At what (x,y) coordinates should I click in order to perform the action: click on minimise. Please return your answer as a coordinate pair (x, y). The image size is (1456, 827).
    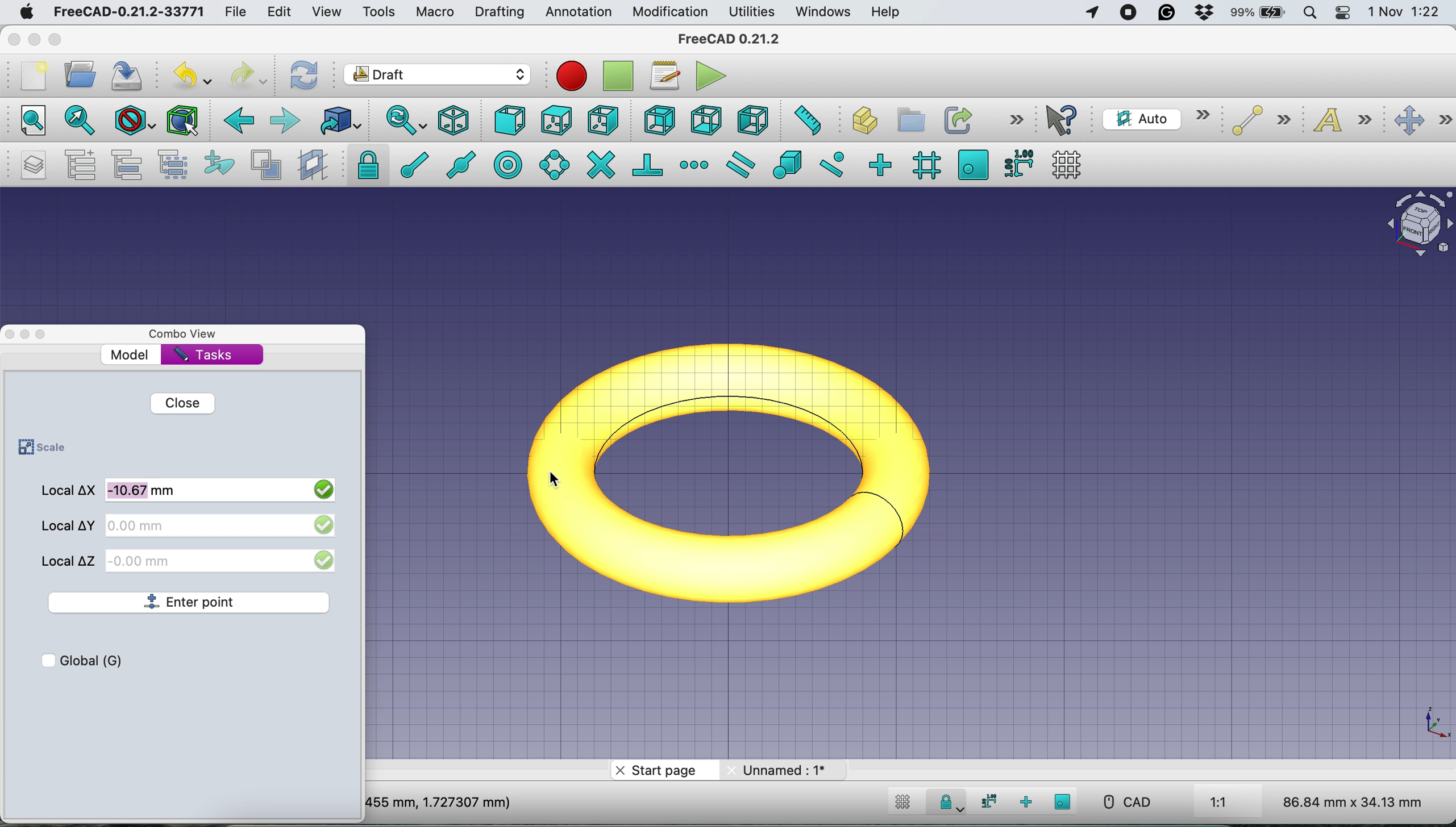
    Looking at the image, I should click on (34, 36).